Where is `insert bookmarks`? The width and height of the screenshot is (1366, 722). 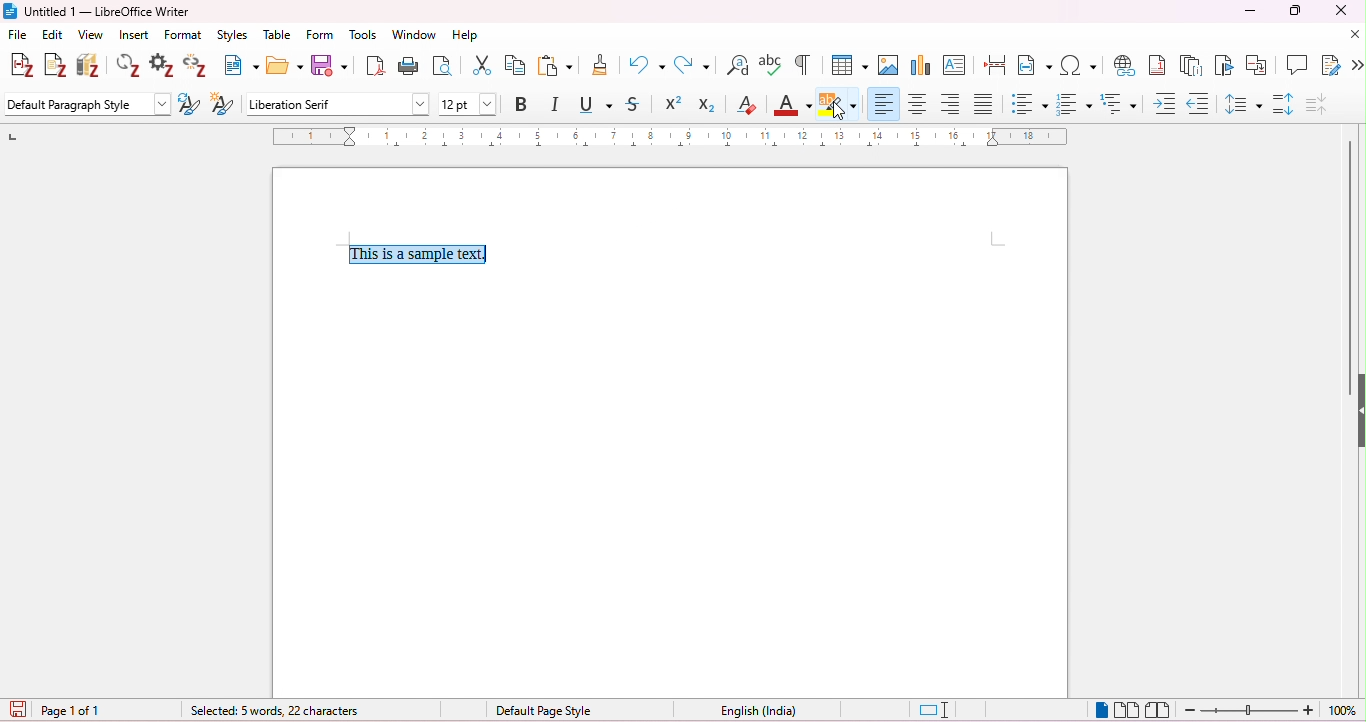 insert bookmarks is located at coordinates (1224, 64).